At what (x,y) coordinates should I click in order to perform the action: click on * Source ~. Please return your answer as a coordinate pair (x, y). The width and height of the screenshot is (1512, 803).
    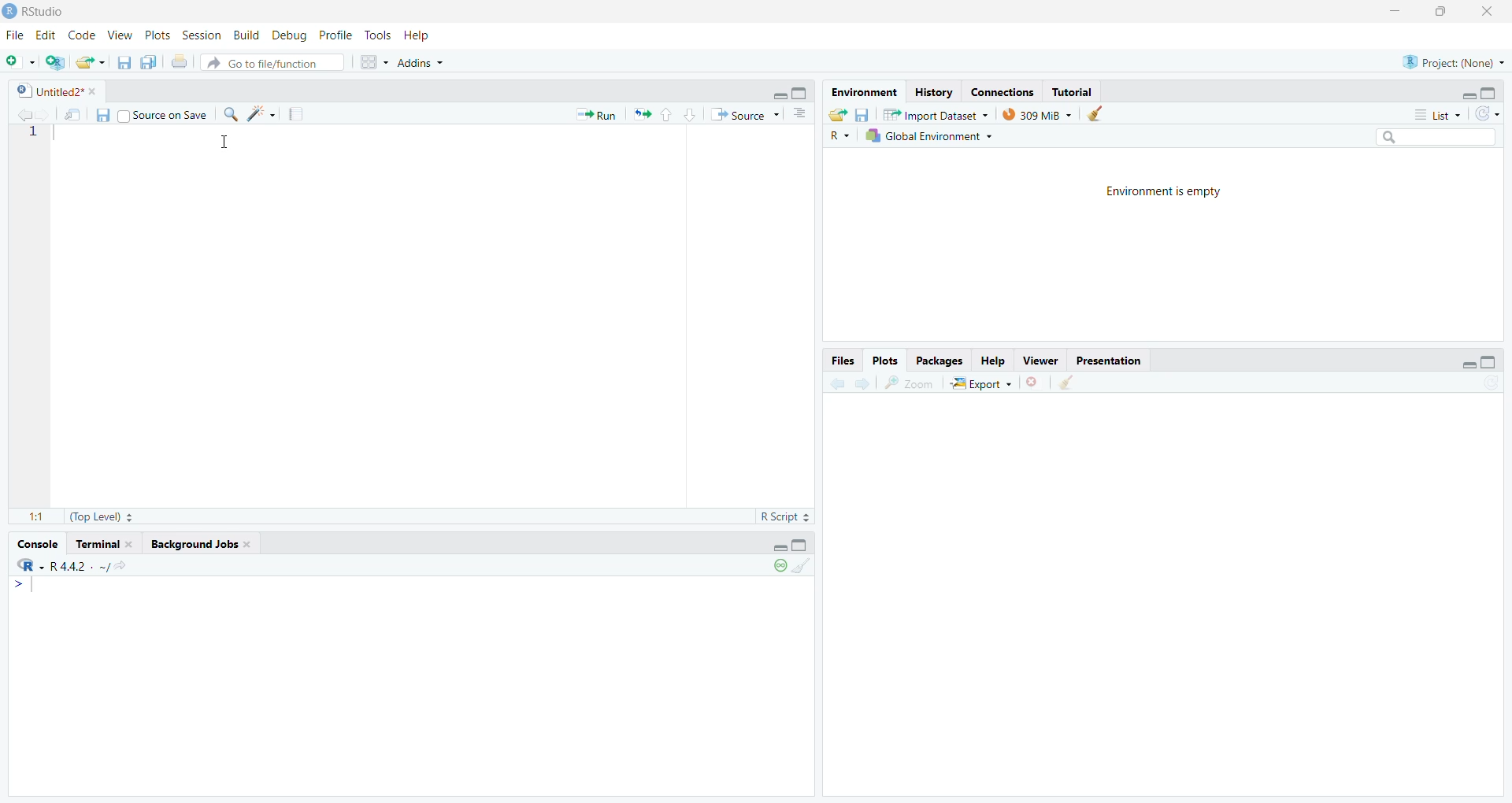
    Looking at the image, I should click on (746, 113).